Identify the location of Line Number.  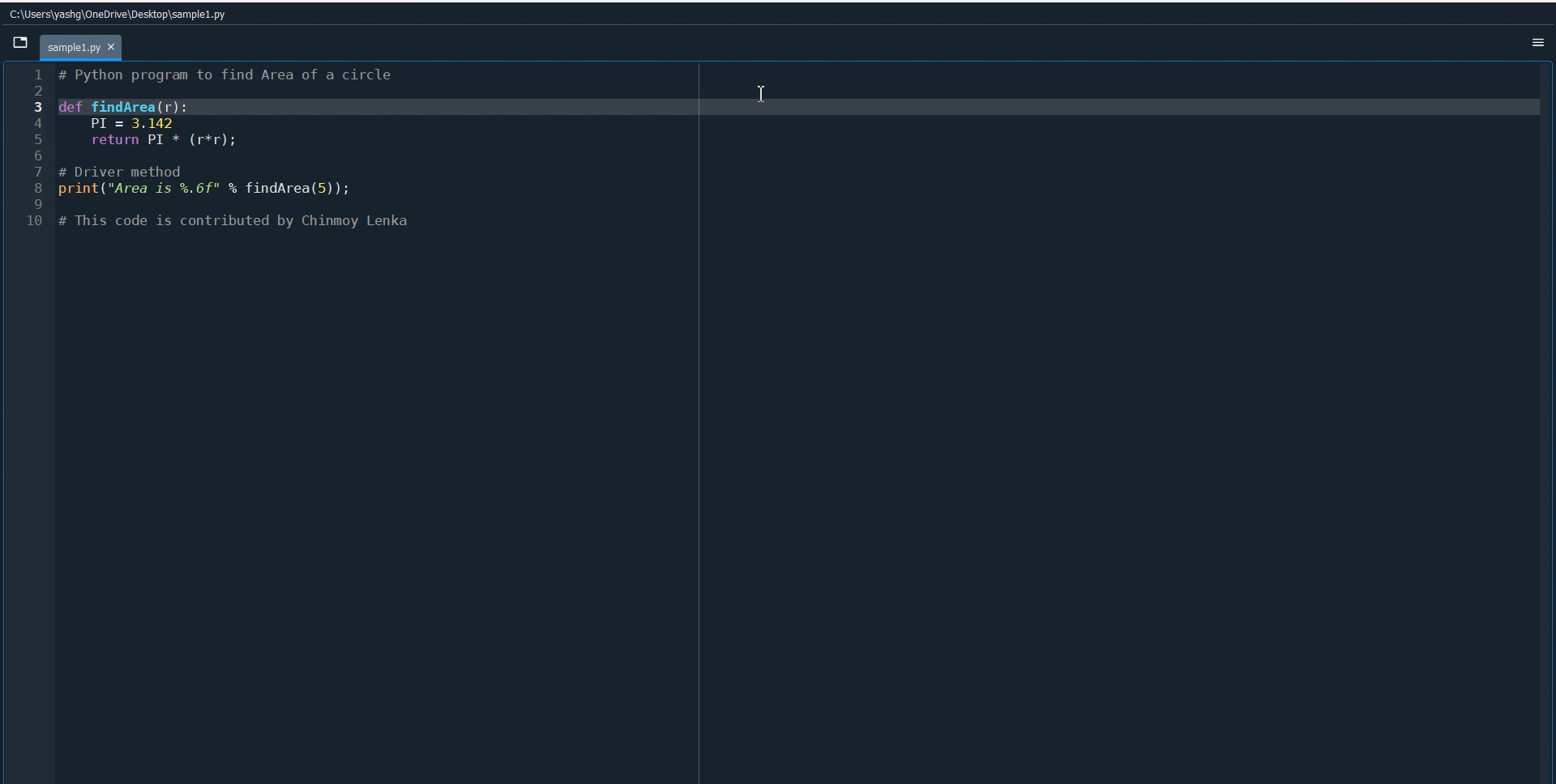
(24, 418).